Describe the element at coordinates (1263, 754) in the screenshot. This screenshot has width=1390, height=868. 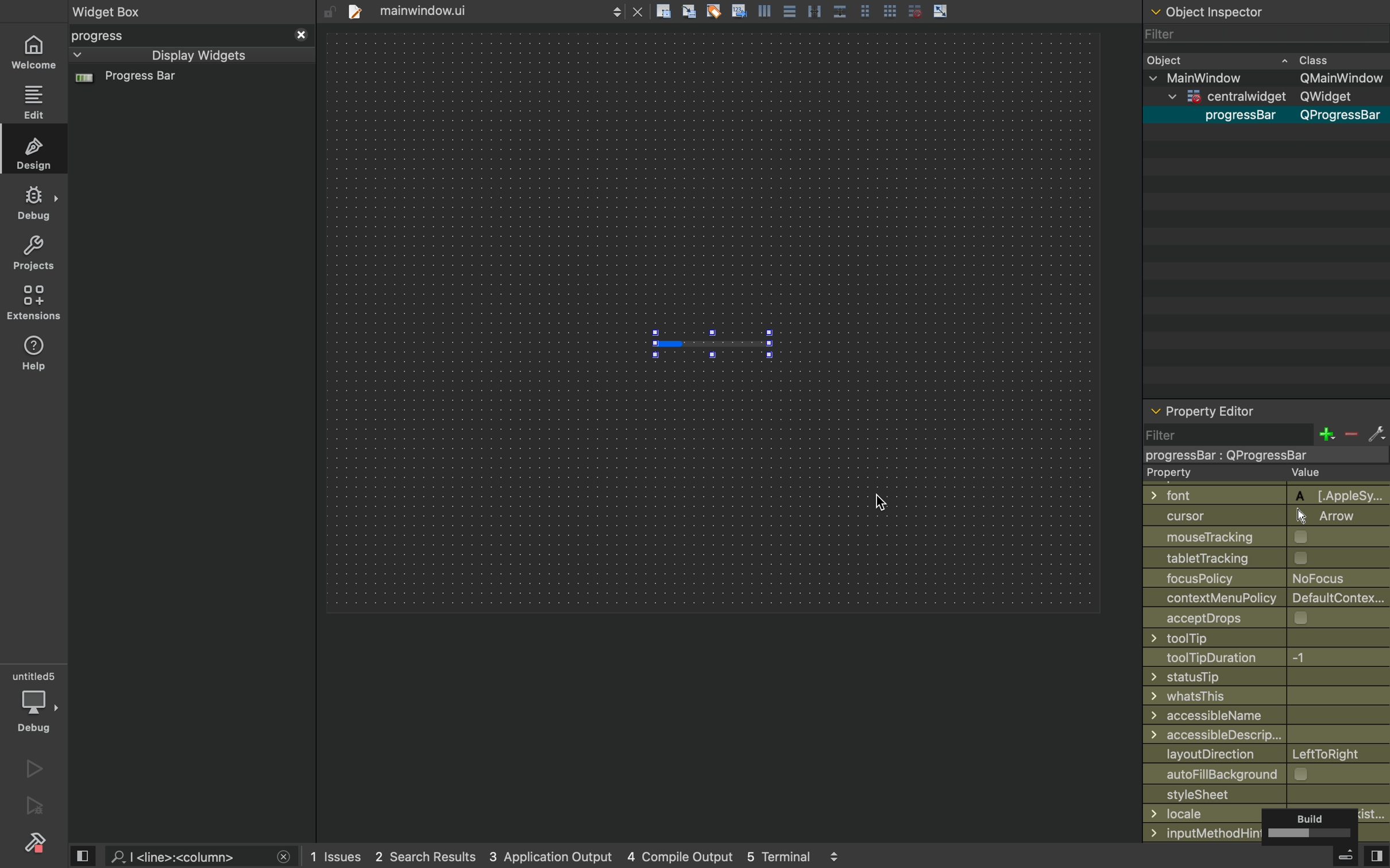
I see `layout description` at that location.